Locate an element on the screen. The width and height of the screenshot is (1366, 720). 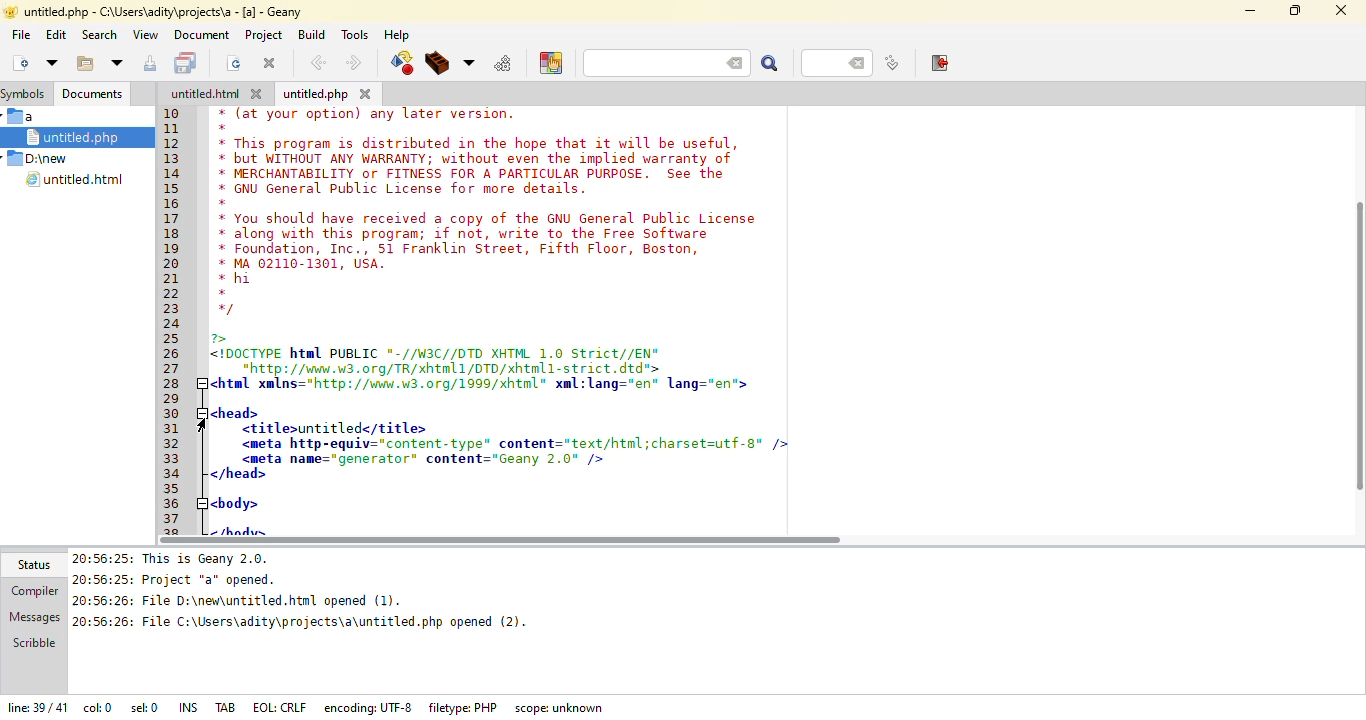
scribble is located at coordinates (34, 643).